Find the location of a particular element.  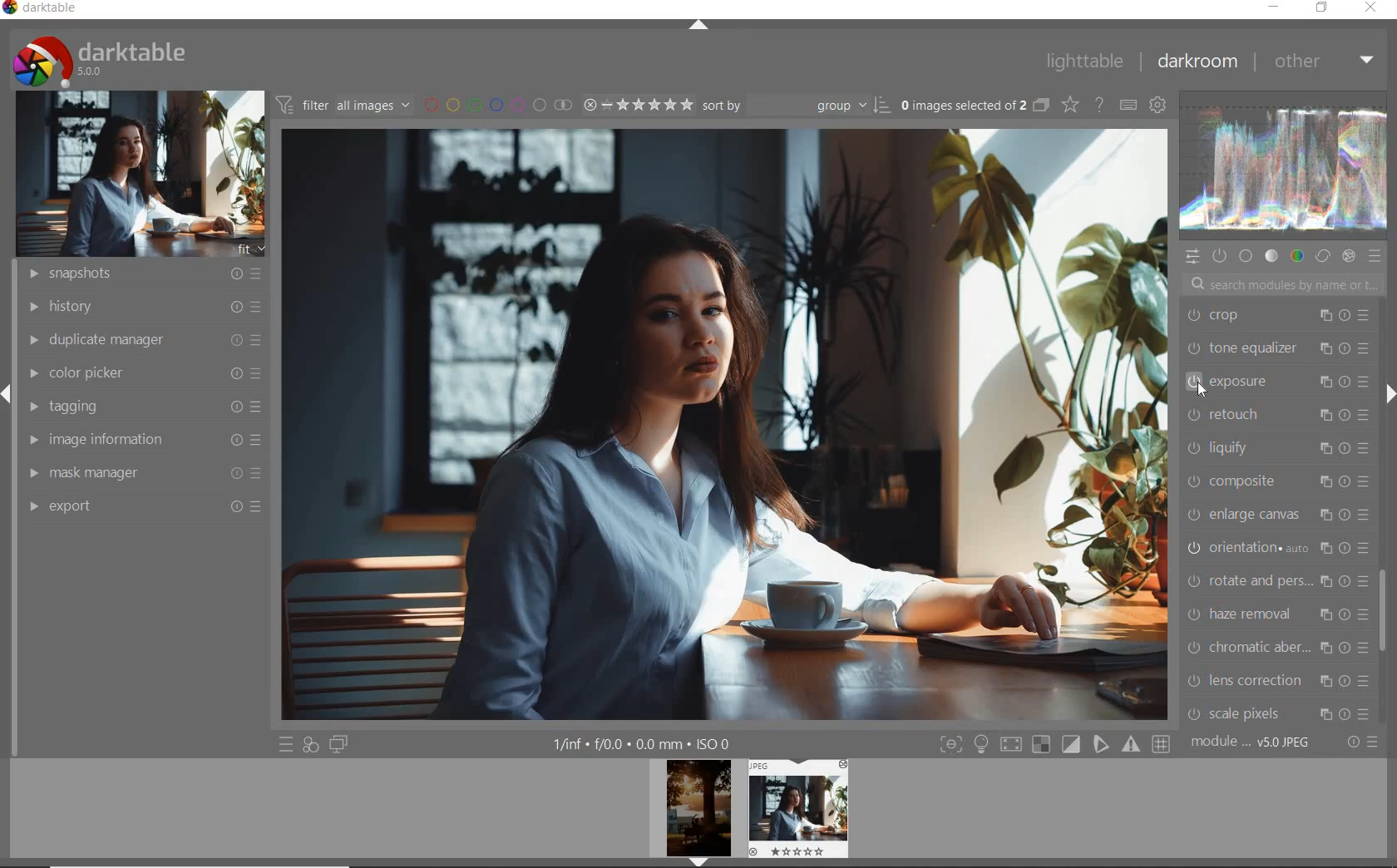

PRESET is located at coordinates (1376, 257).